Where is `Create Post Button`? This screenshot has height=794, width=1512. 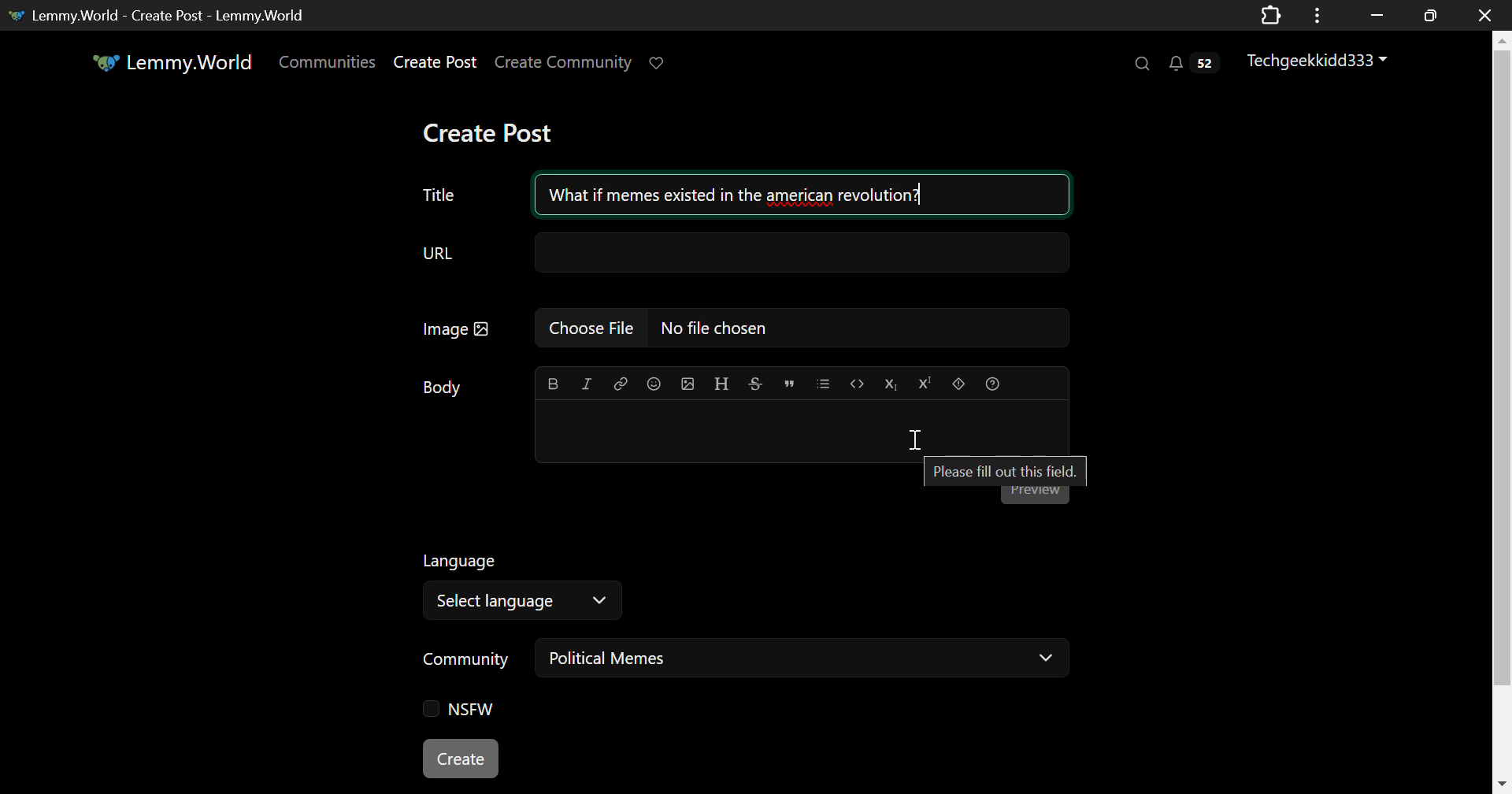 Create Post Button is located at coordinates (462, 759).